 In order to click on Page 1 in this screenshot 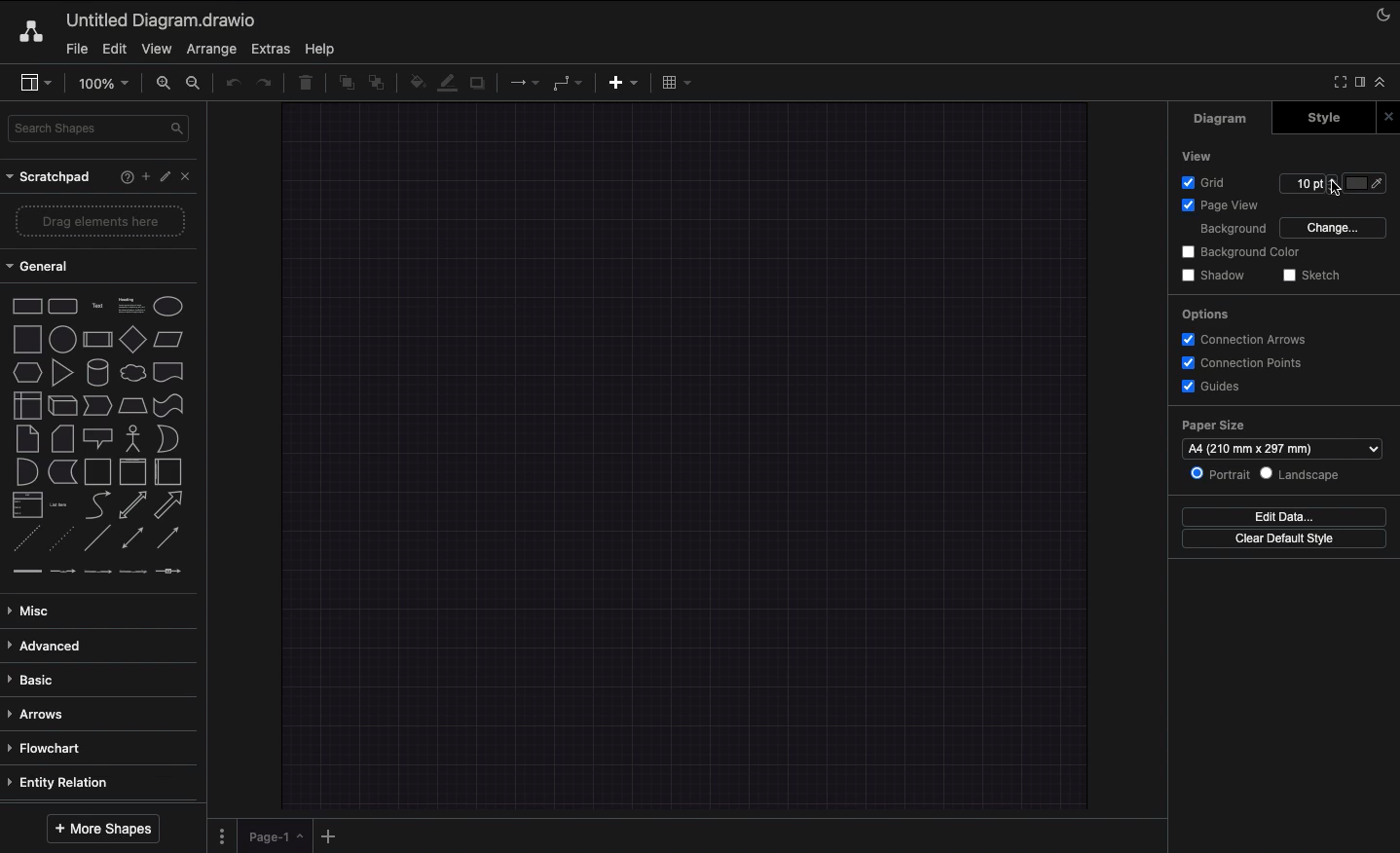, I will do `click(269, 834)`.